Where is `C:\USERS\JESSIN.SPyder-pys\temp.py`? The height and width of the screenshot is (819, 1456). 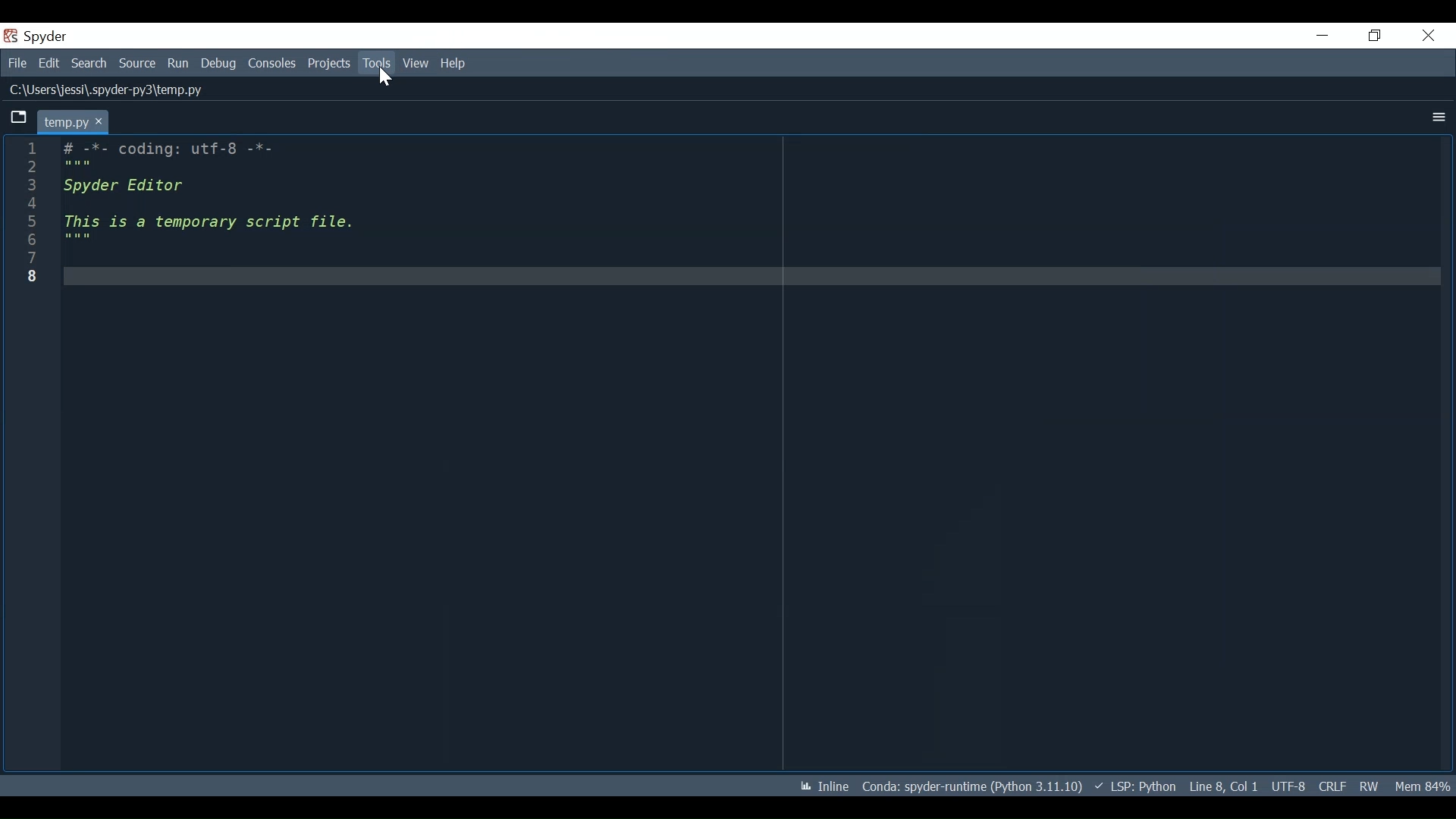
C:\USERS\JESSIN.SPyder-pys\temp.py is located at coordinates (118, 90).